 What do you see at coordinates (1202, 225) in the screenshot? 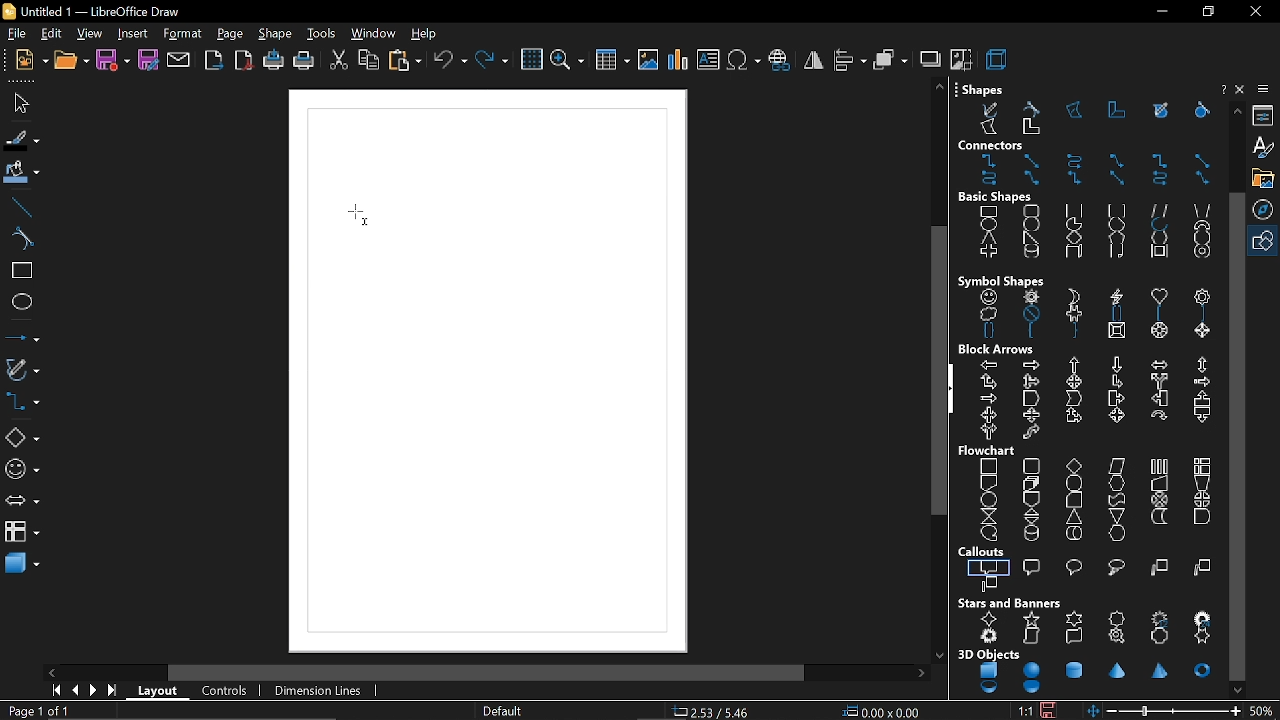
I see `block arc` at bounding box center [1202, 225].